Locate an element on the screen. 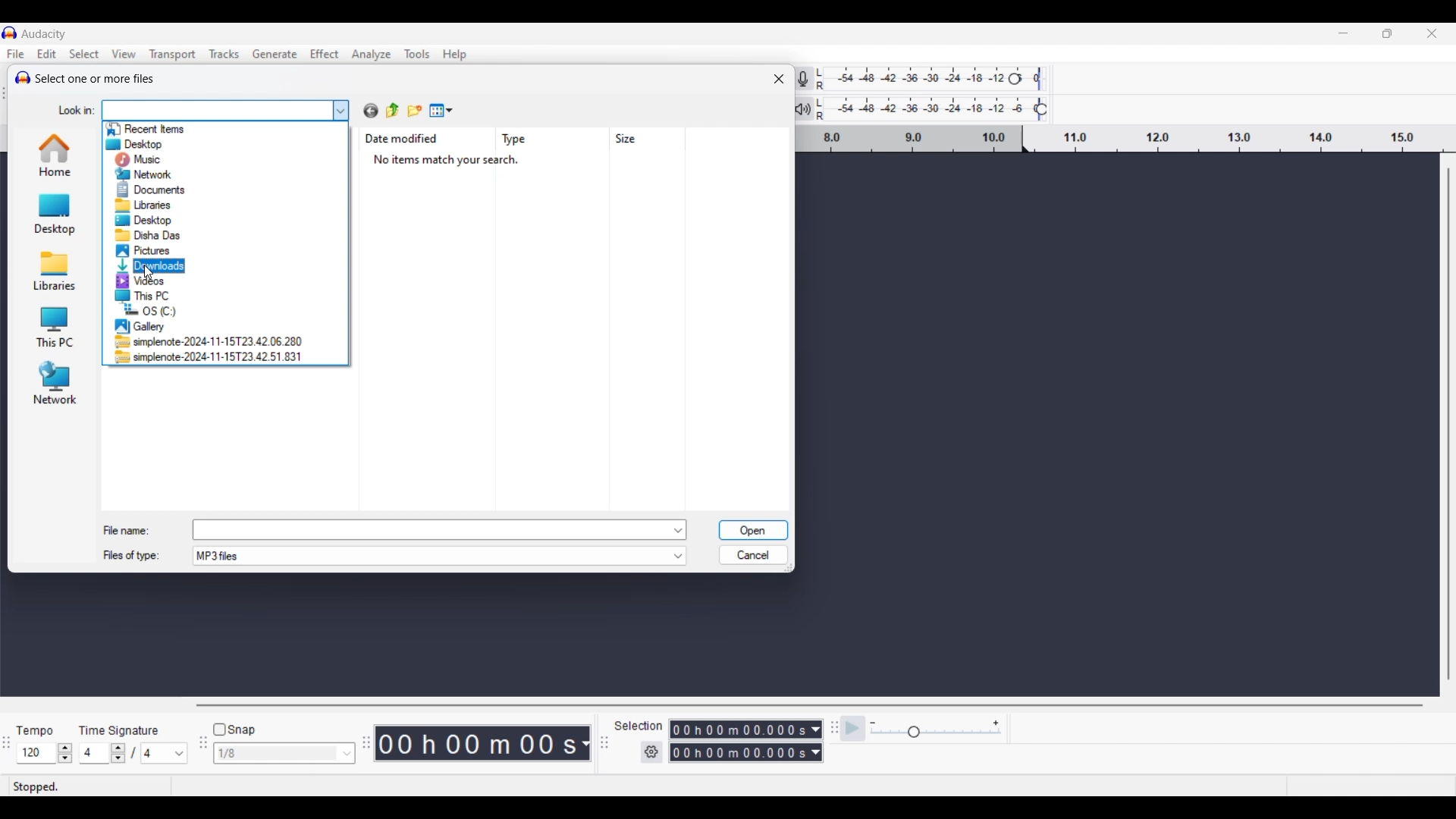 Image resolution: width=1456 pixels, height=819 pixels. Close interface is located at coordinates (1432, 33).